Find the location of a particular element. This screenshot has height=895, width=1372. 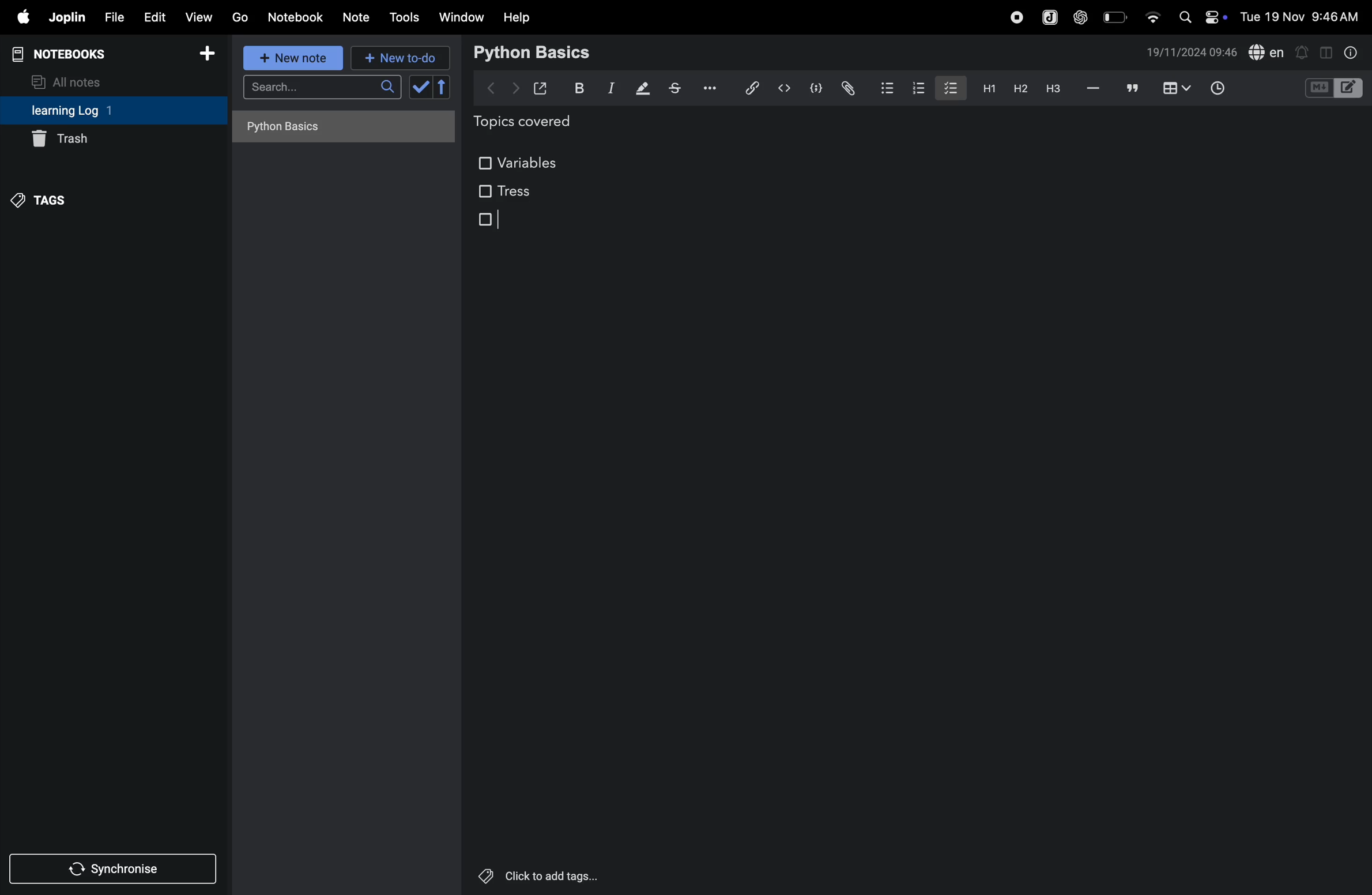

record is located at coordinates (1016, 16).